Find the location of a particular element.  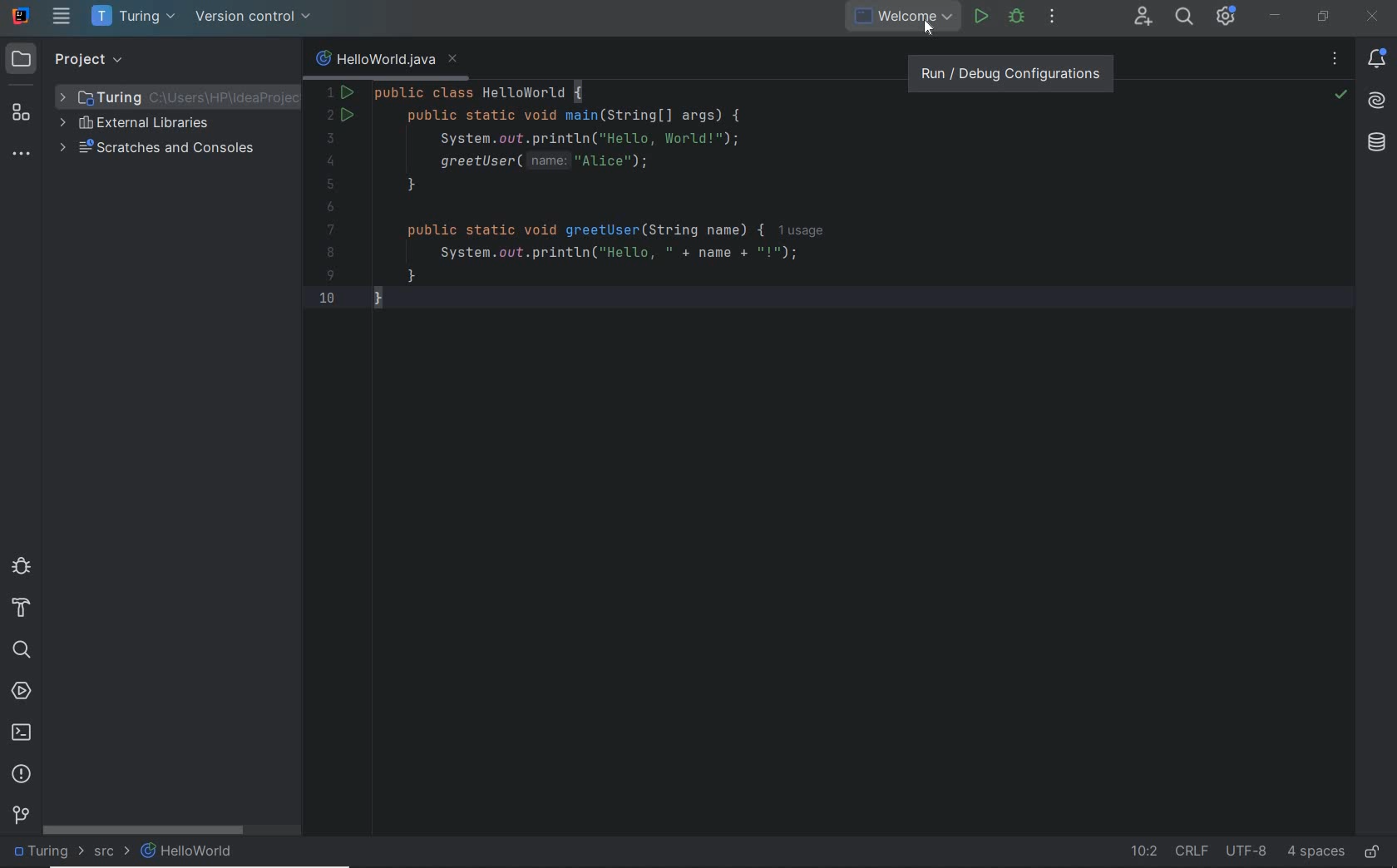

Database is located at coordinates (1380, 146).